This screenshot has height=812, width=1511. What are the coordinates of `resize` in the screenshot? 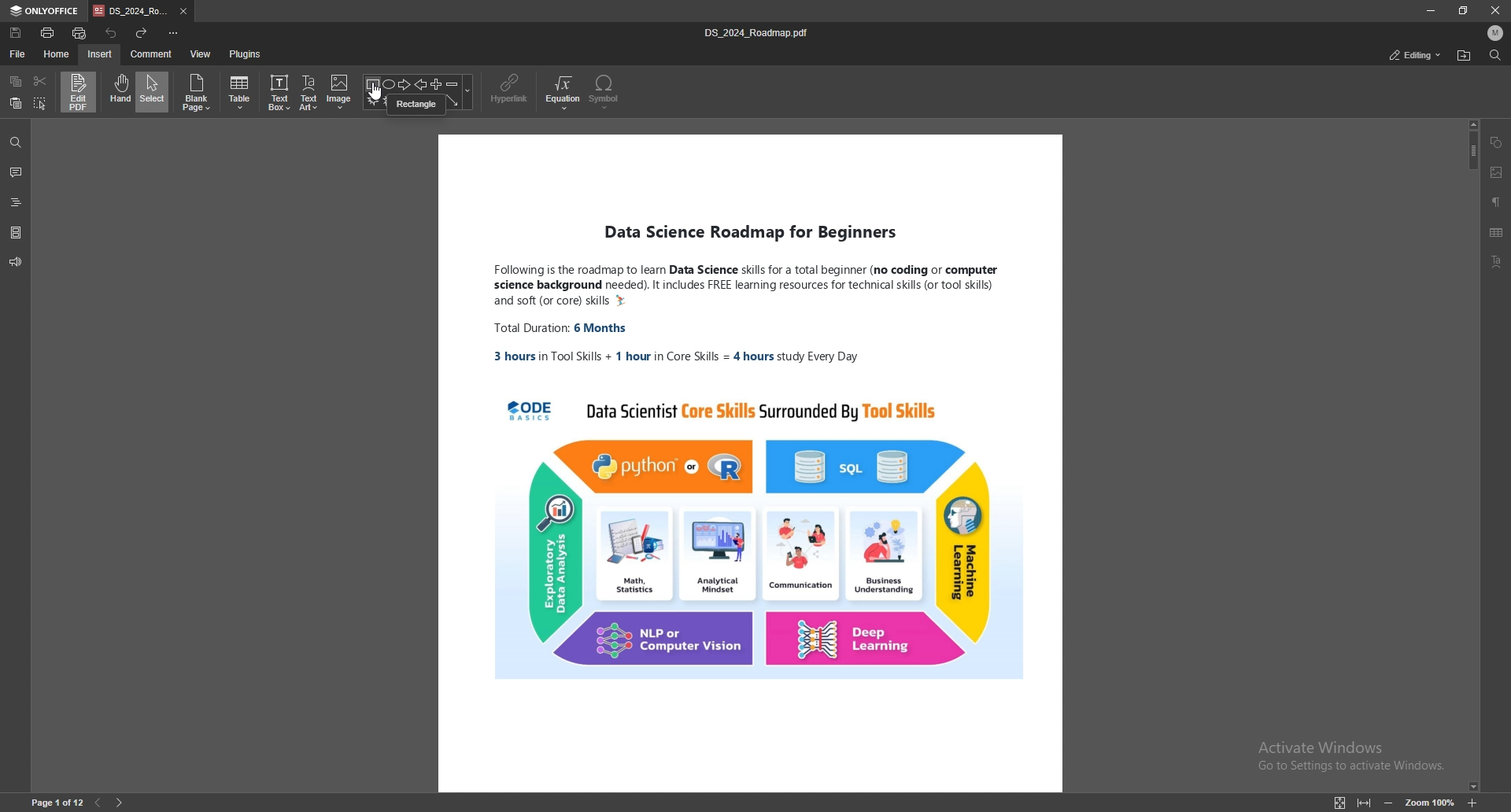 It's located at (1464, 10).